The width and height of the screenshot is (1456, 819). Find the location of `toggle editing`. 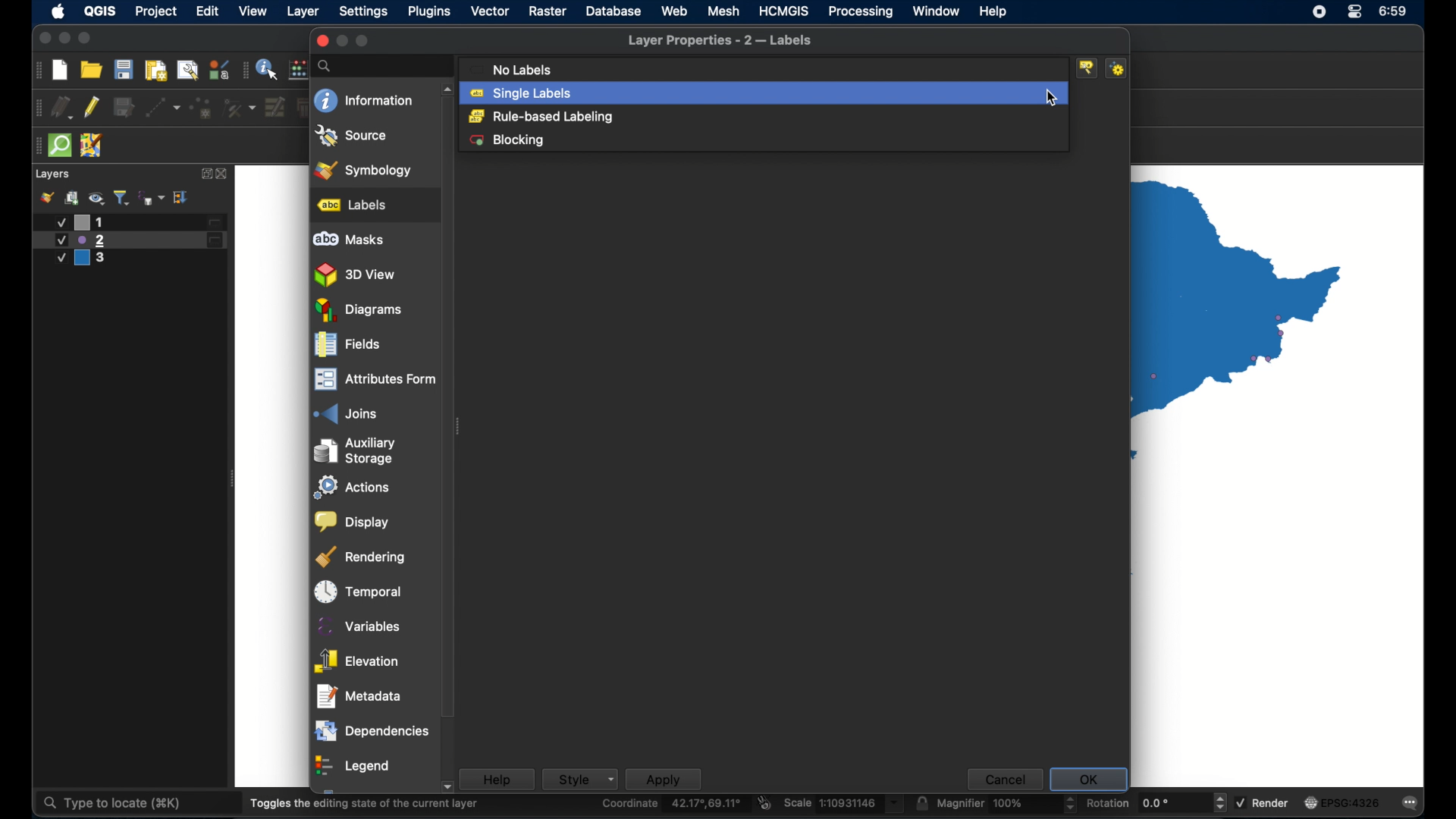

toggle editing is located at coordinates (91, 108).